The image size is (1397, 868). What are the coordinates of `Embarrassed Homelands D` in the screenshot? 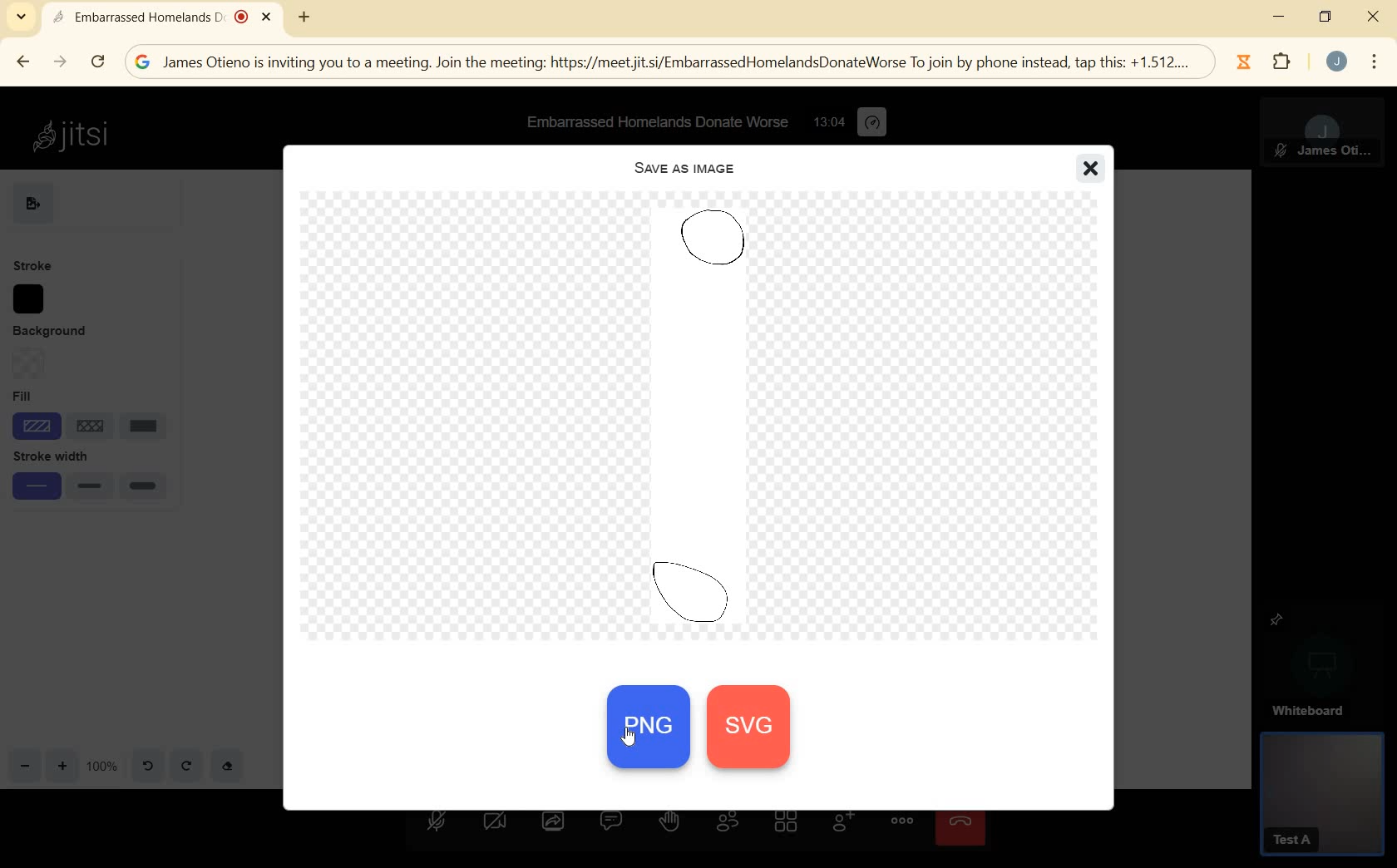 It's located at (162, 18).